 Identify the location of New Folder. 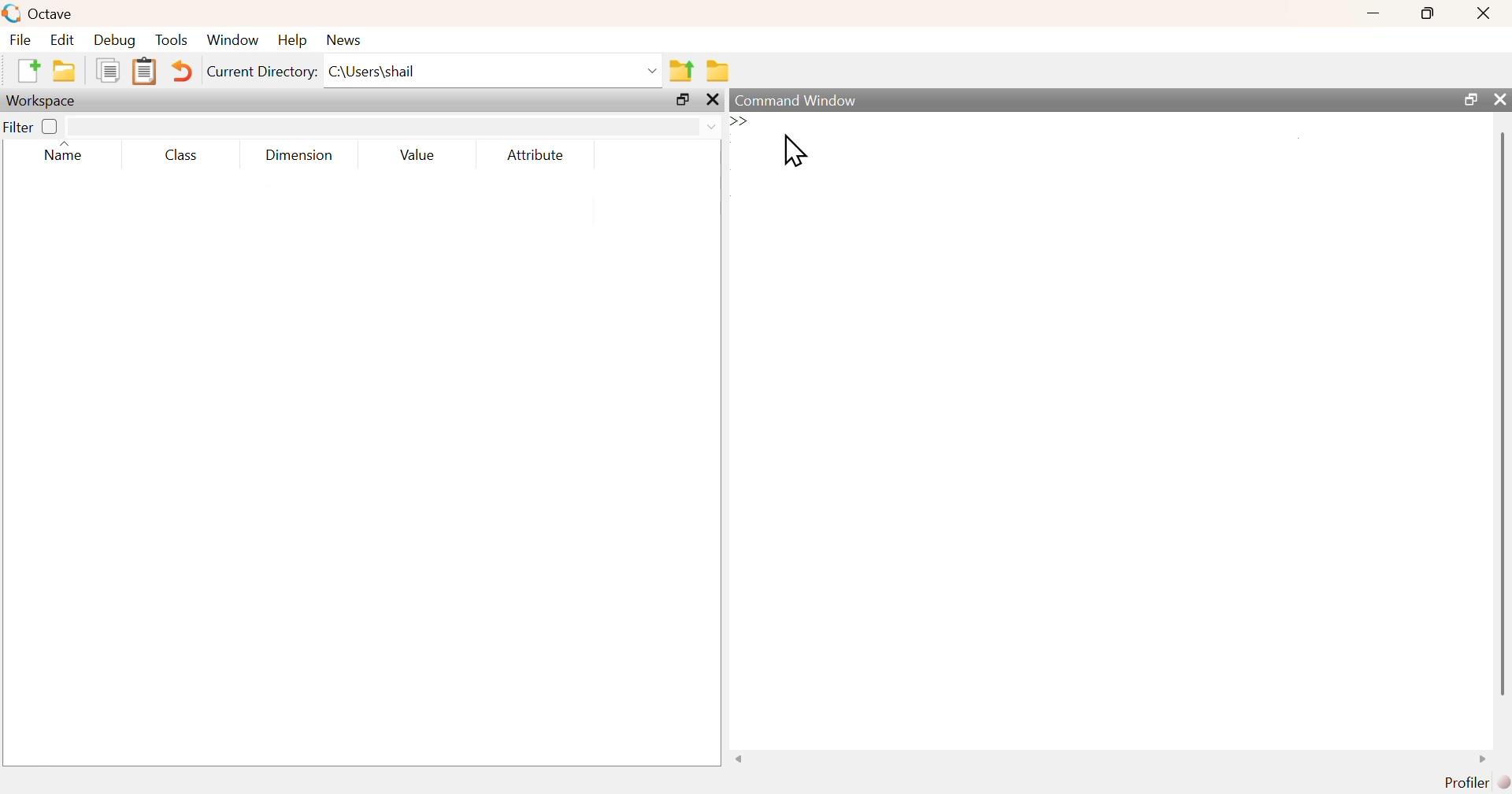
(64, 71).